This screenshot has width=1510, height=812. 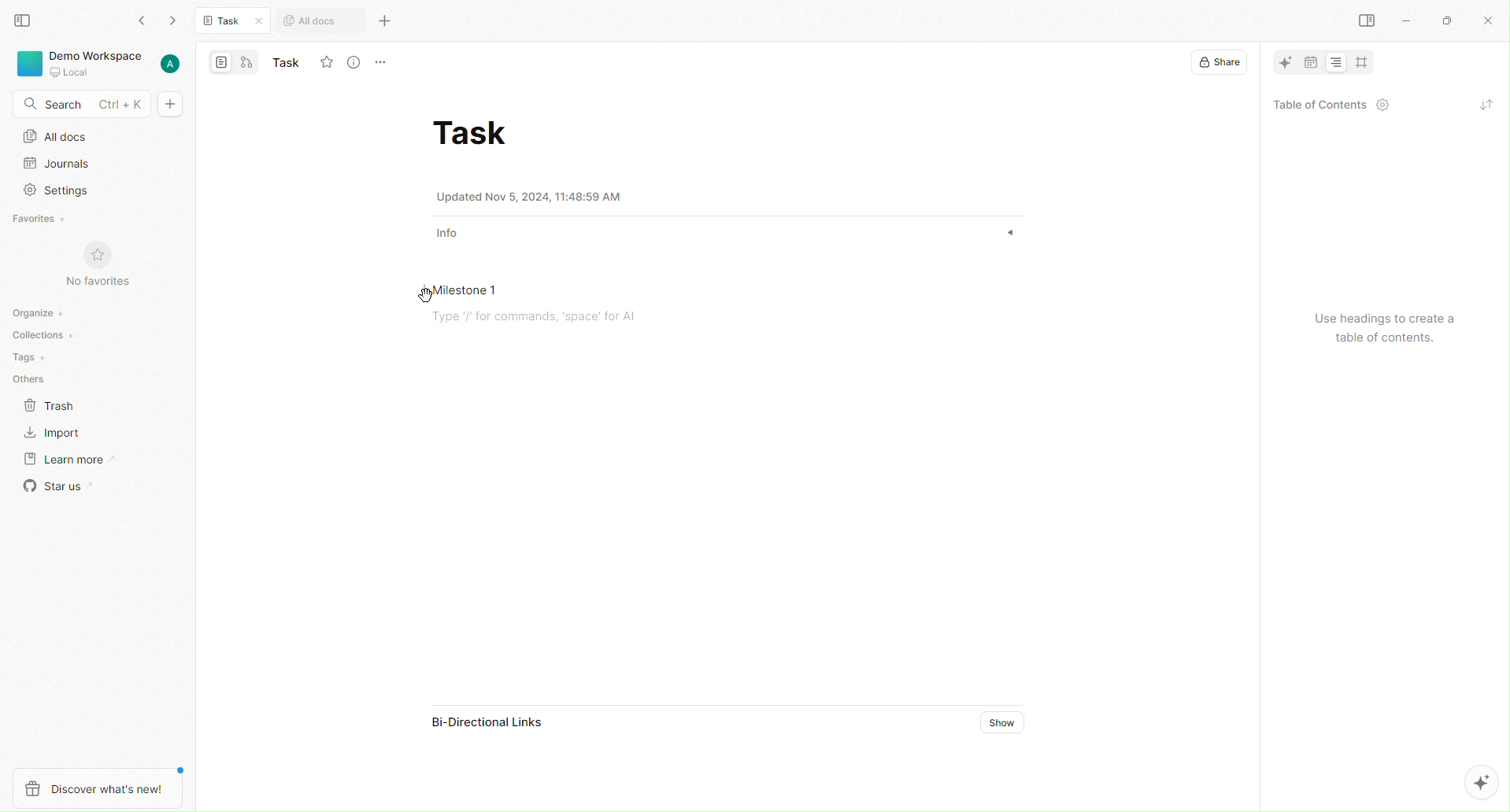 What do you see at coordinates (1363, 64) in the screenshot?
I see `crop` at bounding box center [1363, 64].